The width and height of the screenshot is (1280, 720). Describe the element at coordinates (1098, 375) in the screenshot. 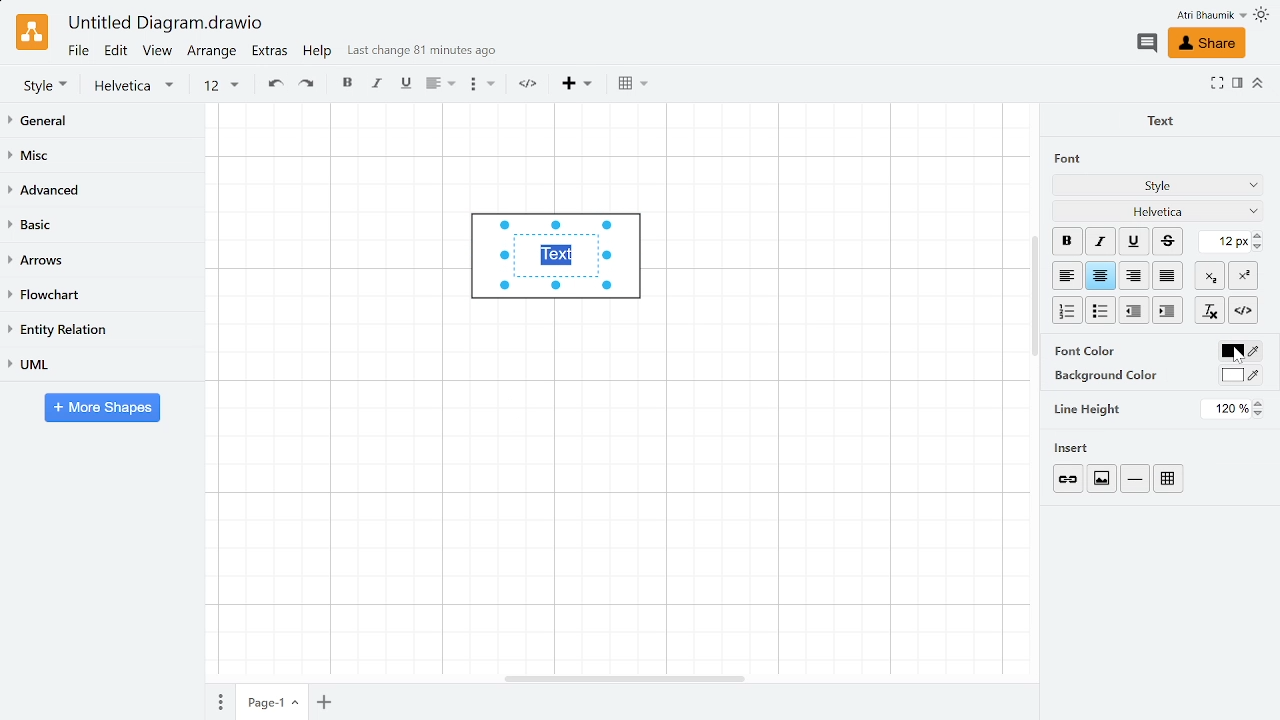

I see `background color` at that location.